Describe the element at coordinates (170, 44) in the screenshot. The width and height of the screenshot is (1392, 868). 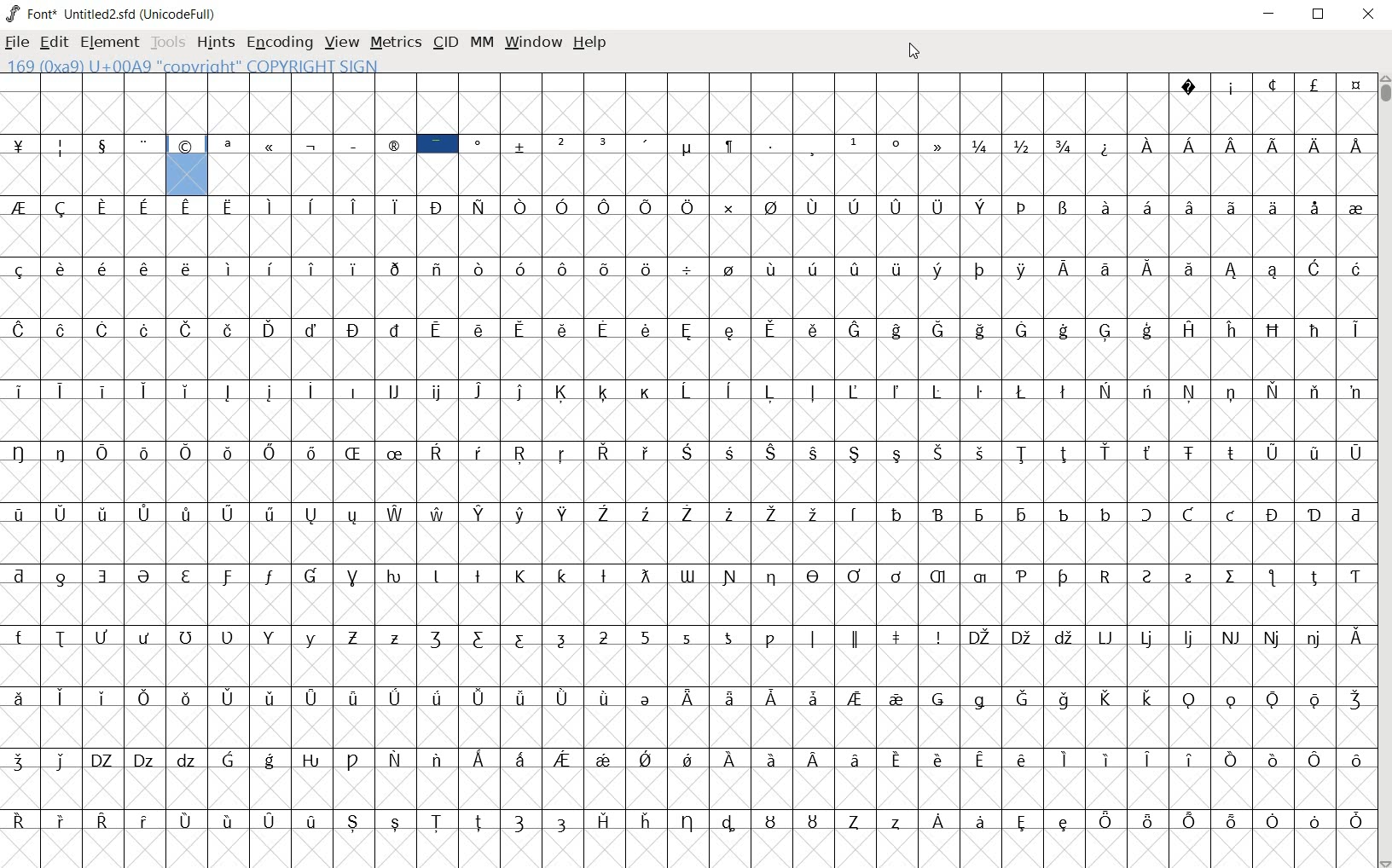
I see `tools` at that location.